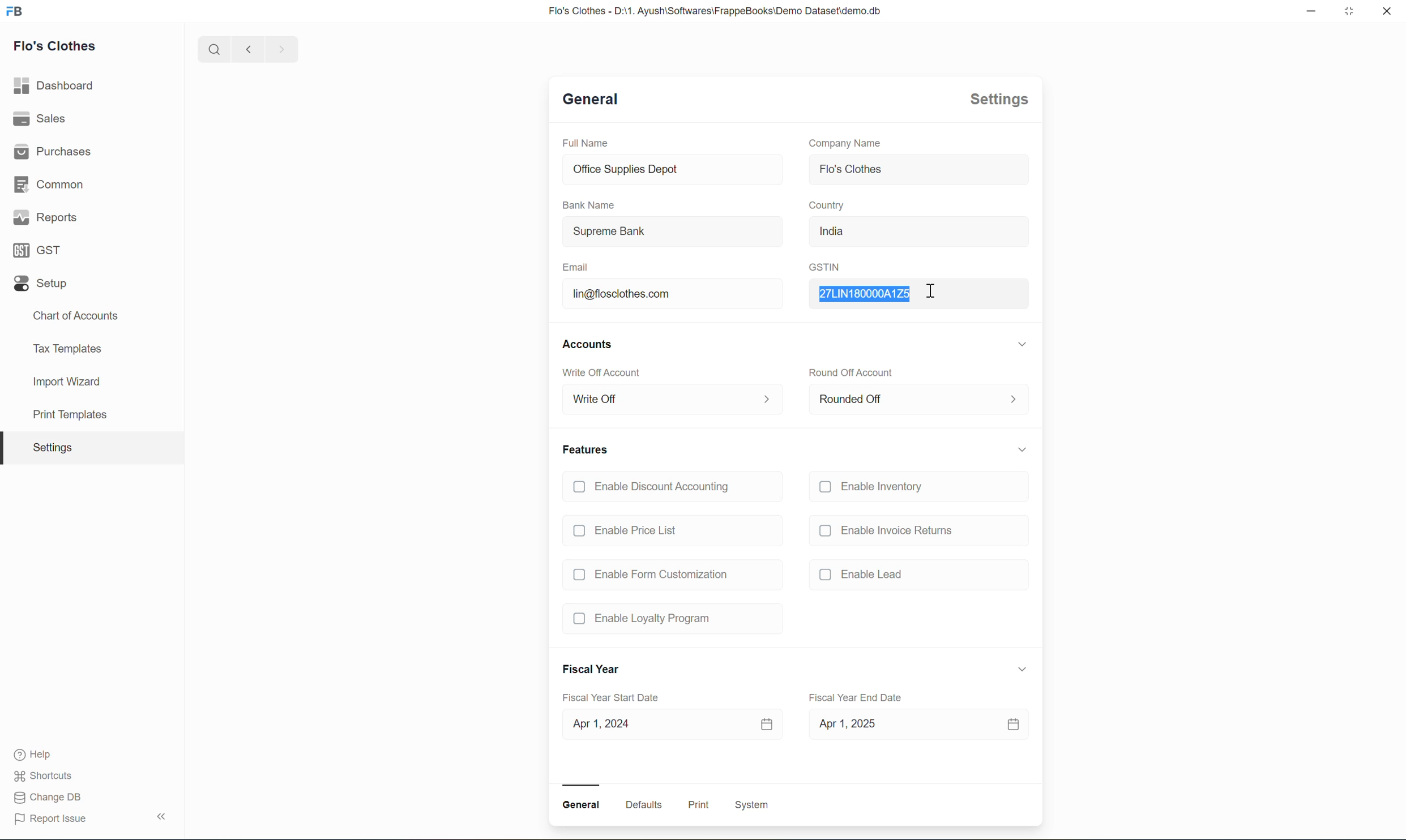 The image size is (1406, 840). Describe the element at coordinates (38, 755) in the screenshot. I see `Help` at that location.